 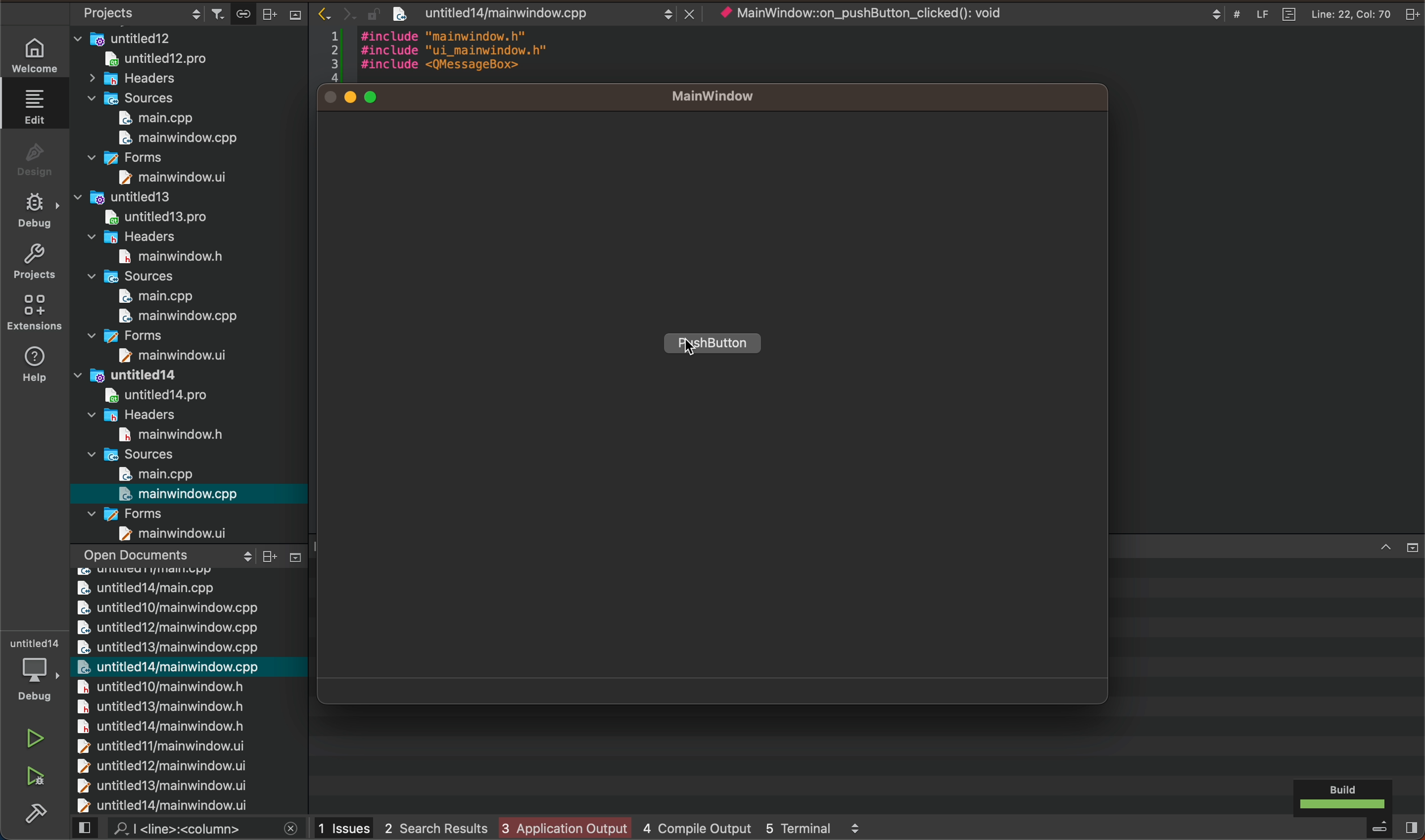 I want to click on projects, so click(x=33, y=260).